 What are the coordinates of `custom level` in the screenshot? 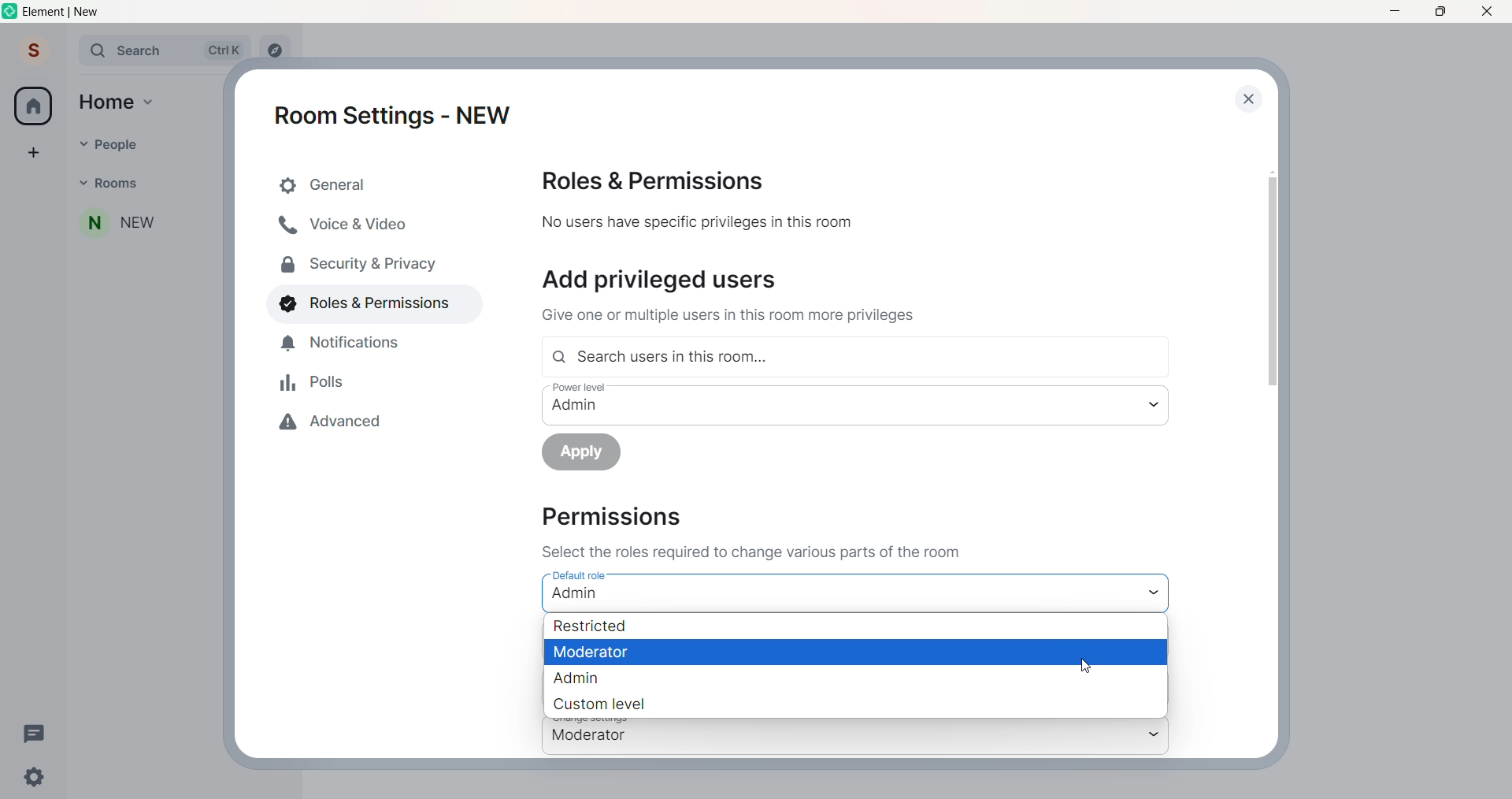 It's located at (603, 704).